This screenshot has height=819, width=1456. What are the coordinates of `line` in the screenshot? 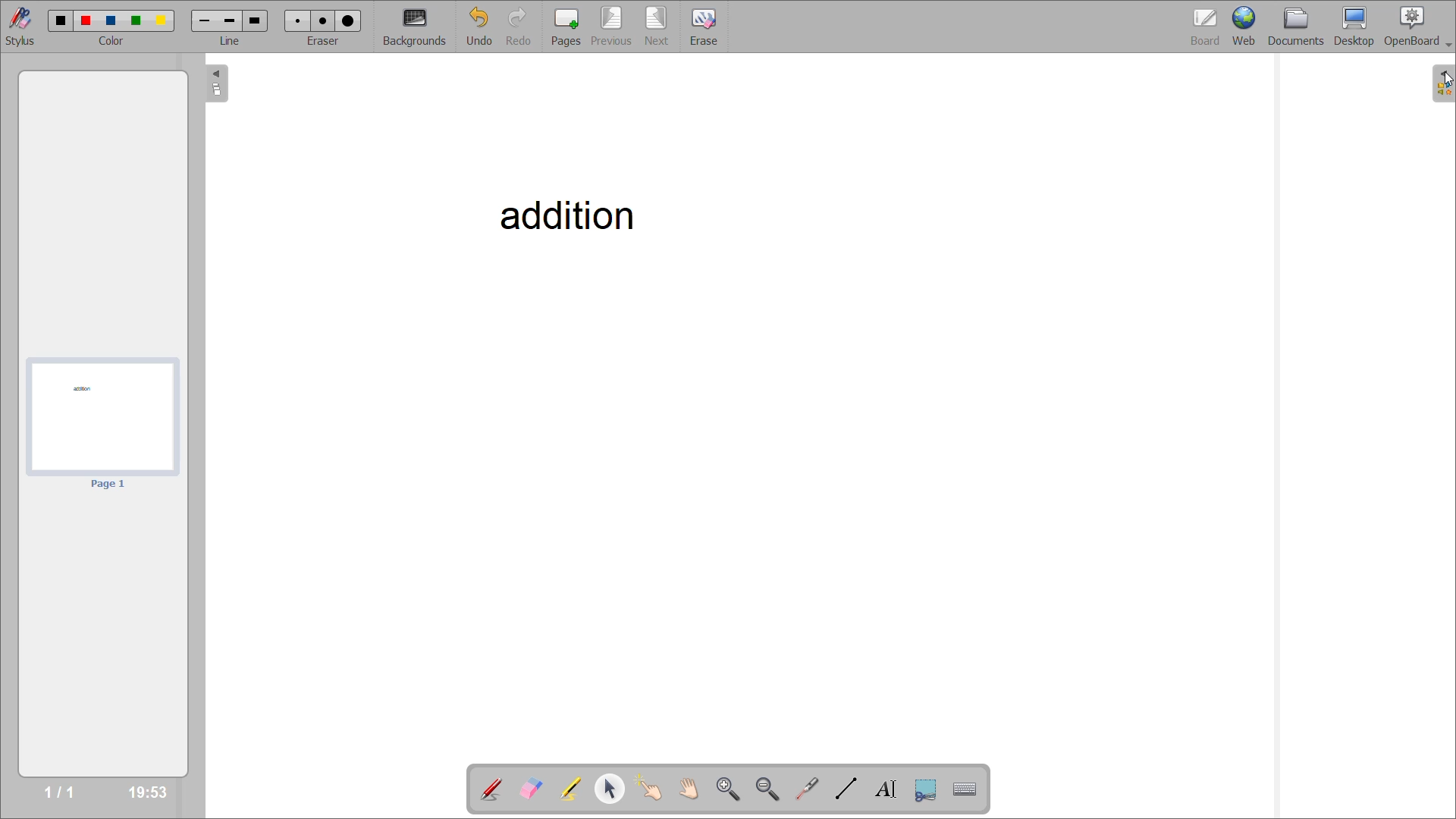 It's located at (231, 40).